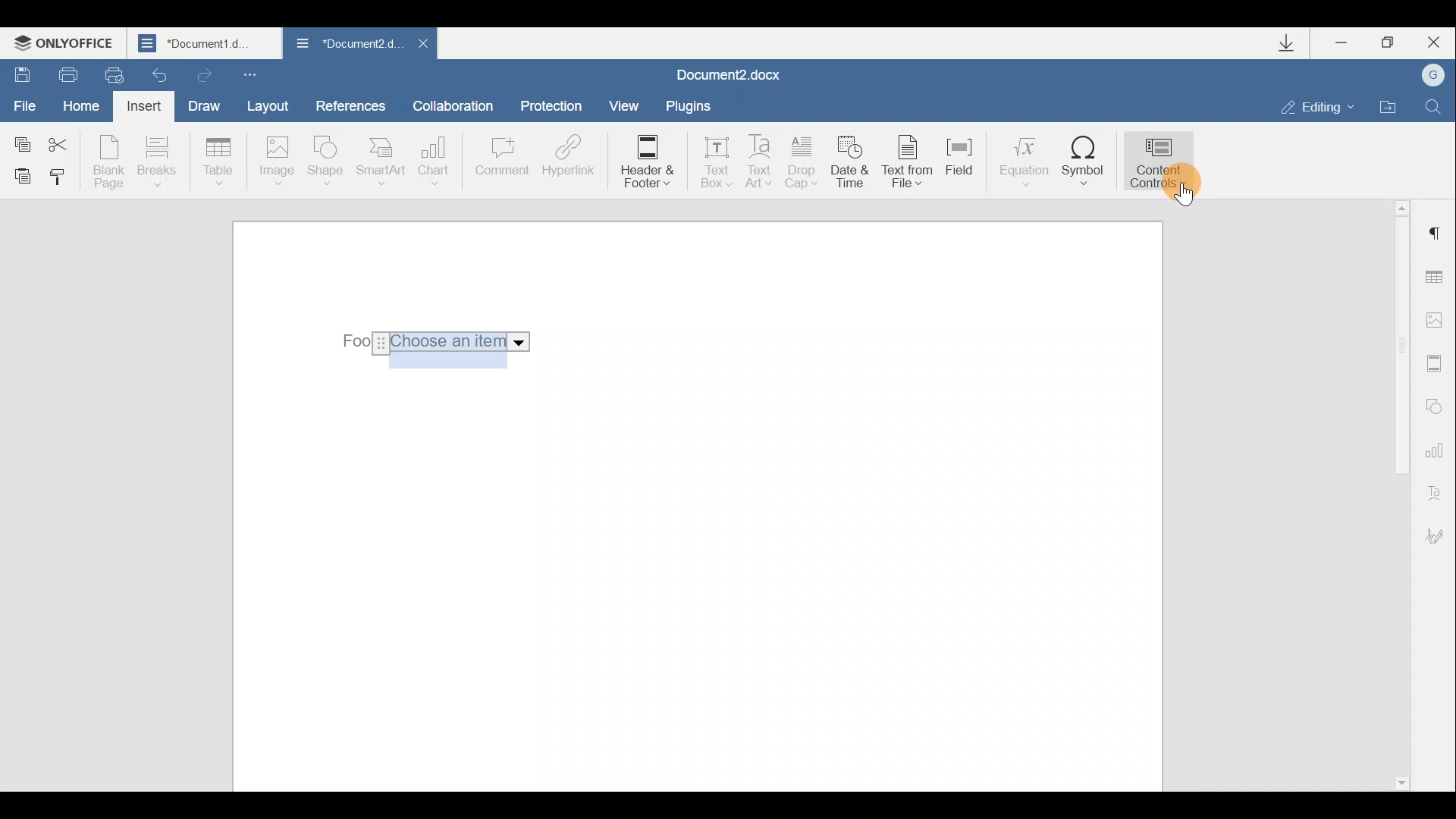 The image size is (1456, 819). I want to click on Undo, so click(161, 71).